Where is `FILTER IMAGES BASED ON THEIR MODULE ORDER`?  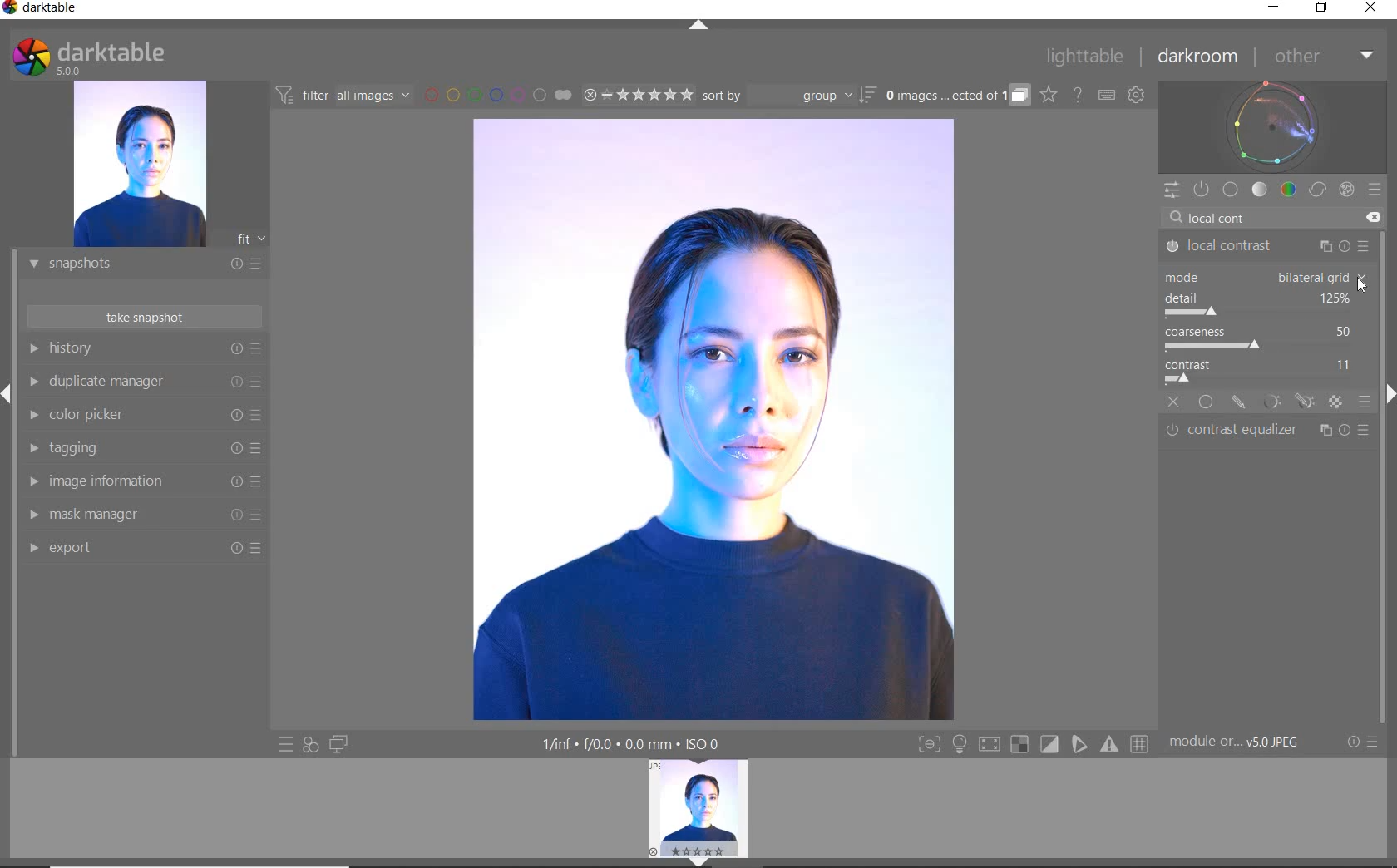
FILTER IMAGES BASED ON THEIR MODULE ORDER is located at coordinates (343, 98).